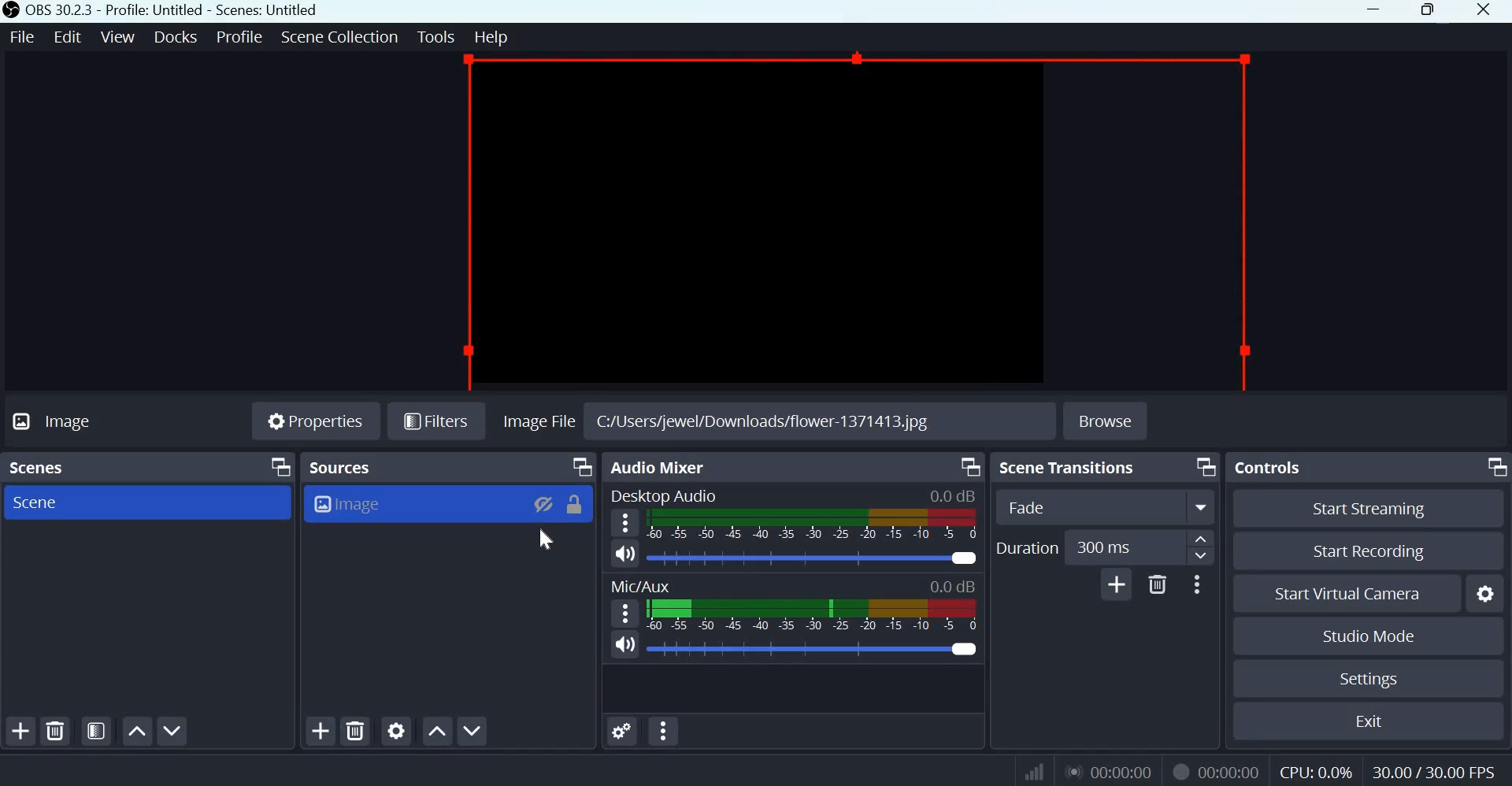  Describe the element at coordinates (1027, 547) in the screenshot. I see `Duration` at that location.